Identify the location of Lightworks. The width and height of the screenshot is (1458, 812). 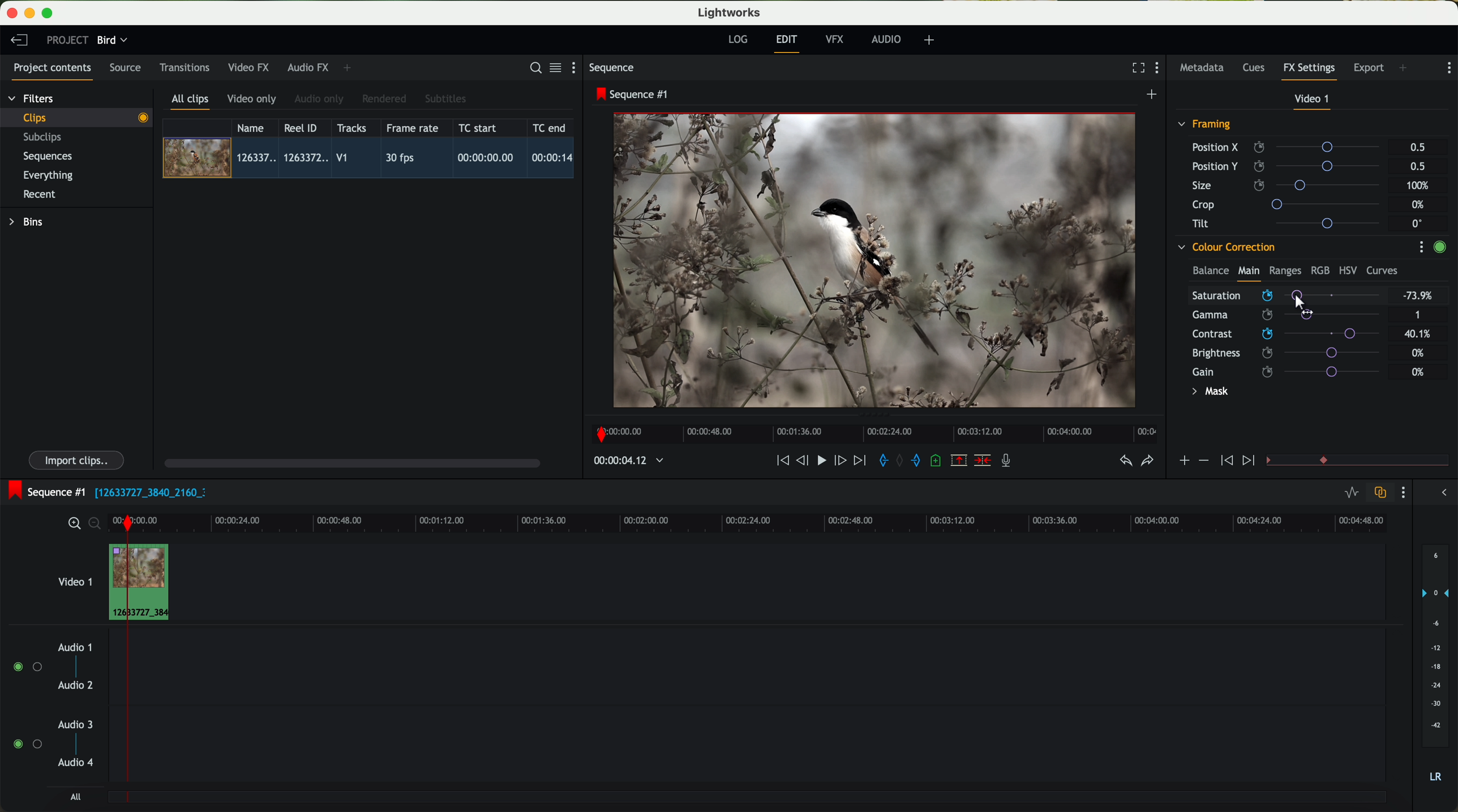
(730, 12).